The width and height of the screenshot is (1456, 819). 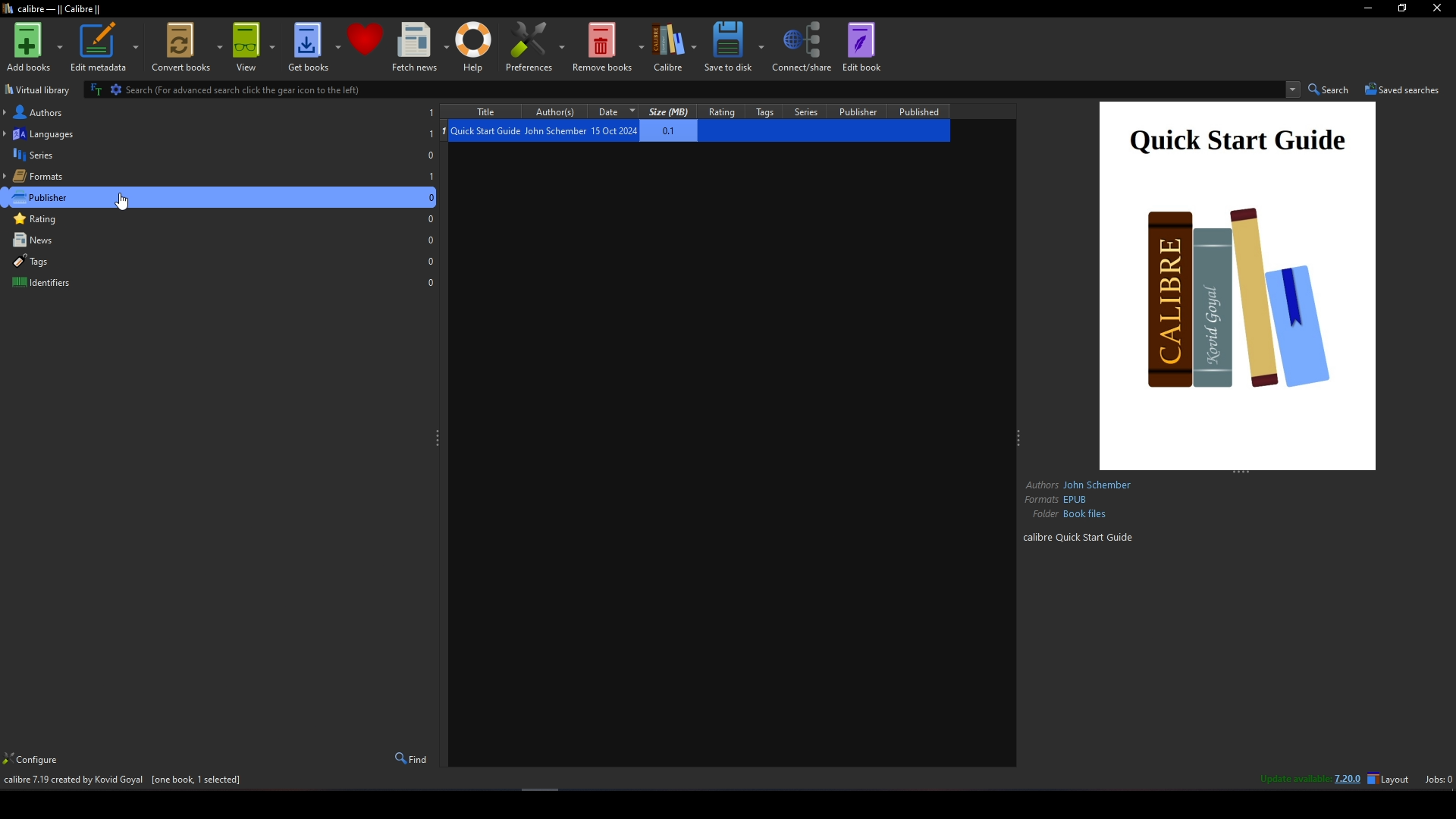 What do you see at coordinates (609, 47) in the screenshot?
I see `Remove books` at bounding box center [609, 47].